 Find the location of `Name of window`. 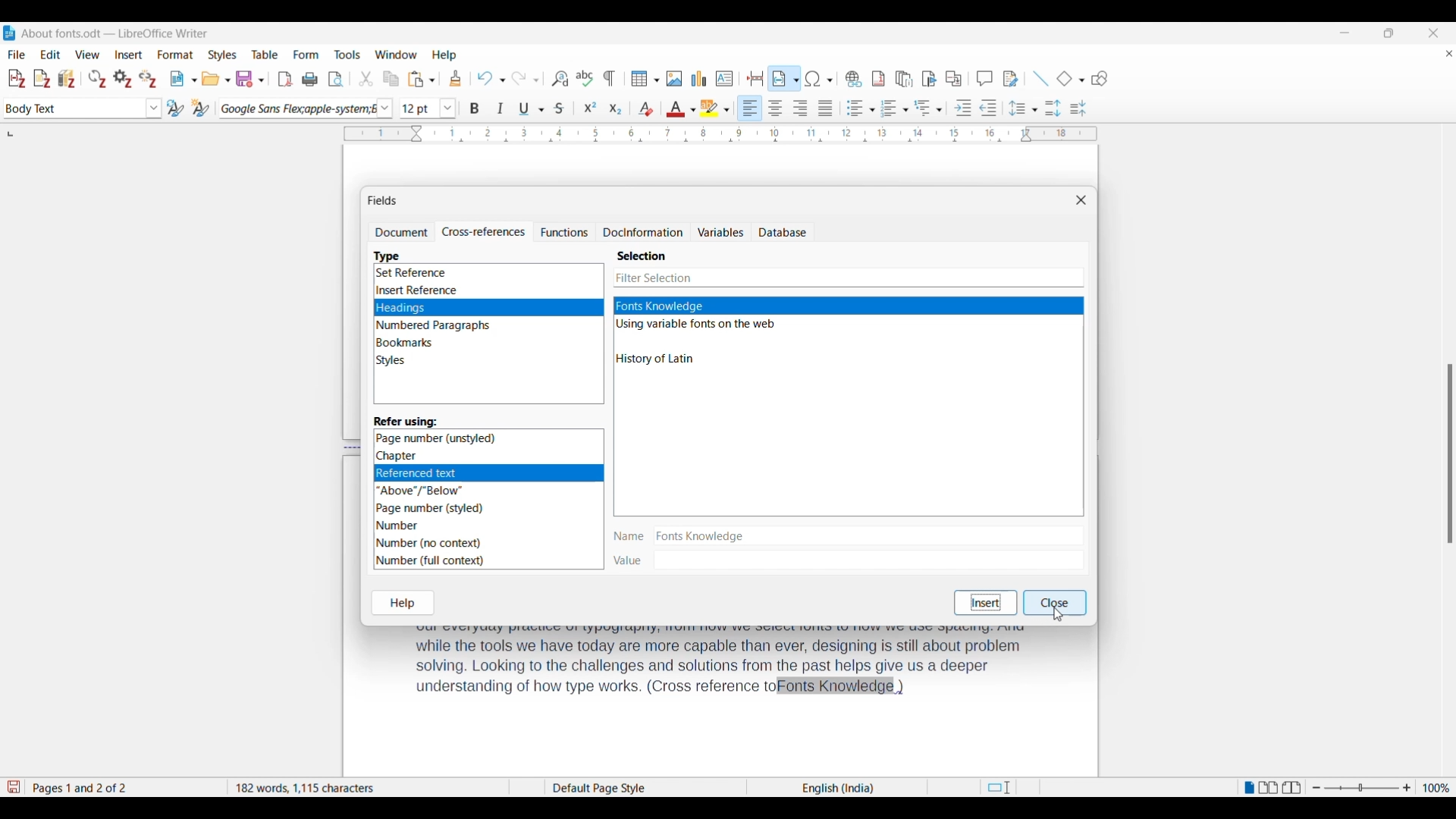

Name of window is located at coordinates (382, 200).